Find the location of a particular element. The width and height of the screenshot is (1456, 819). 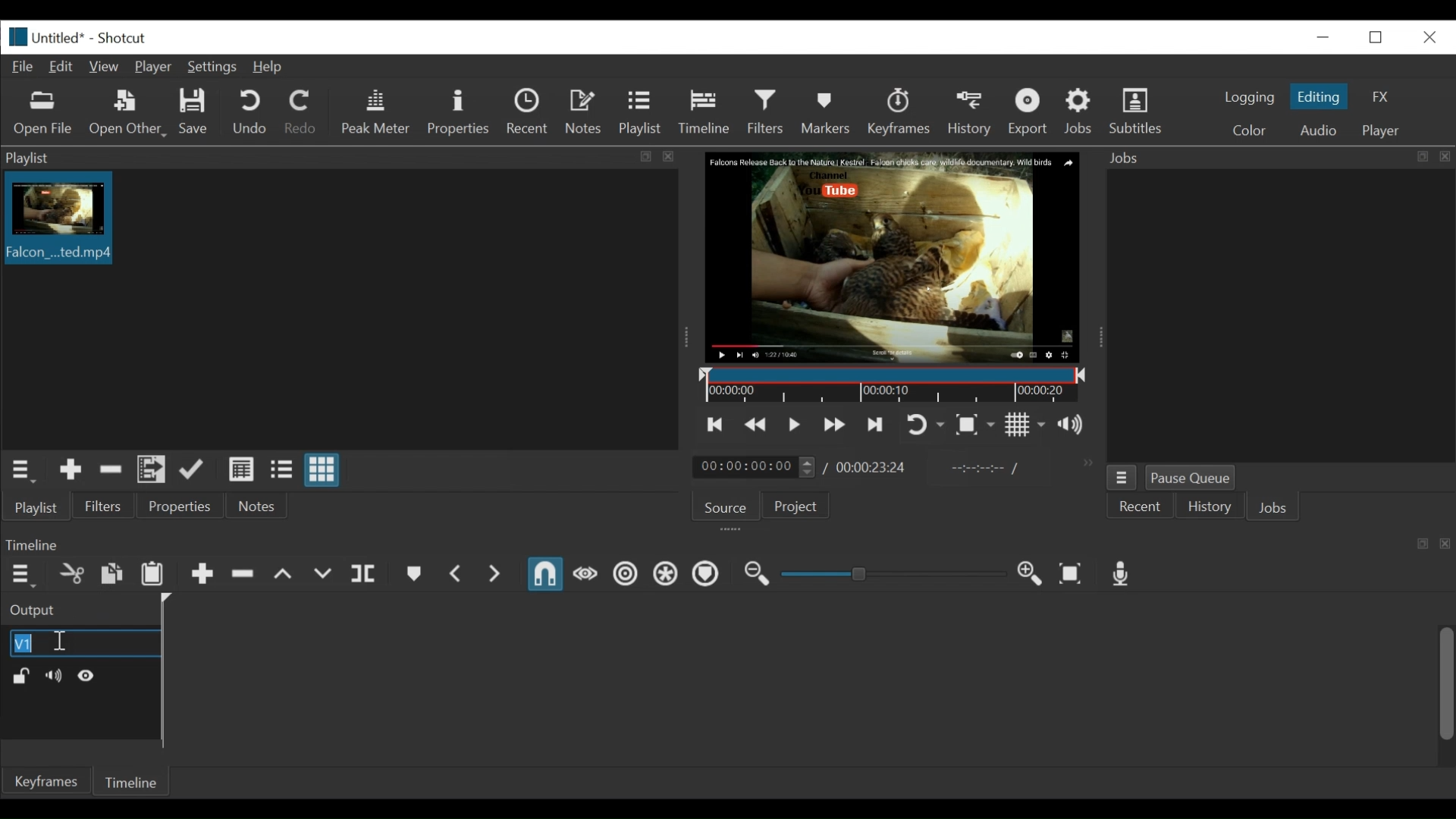

File name is located at coordinates (45, 36).